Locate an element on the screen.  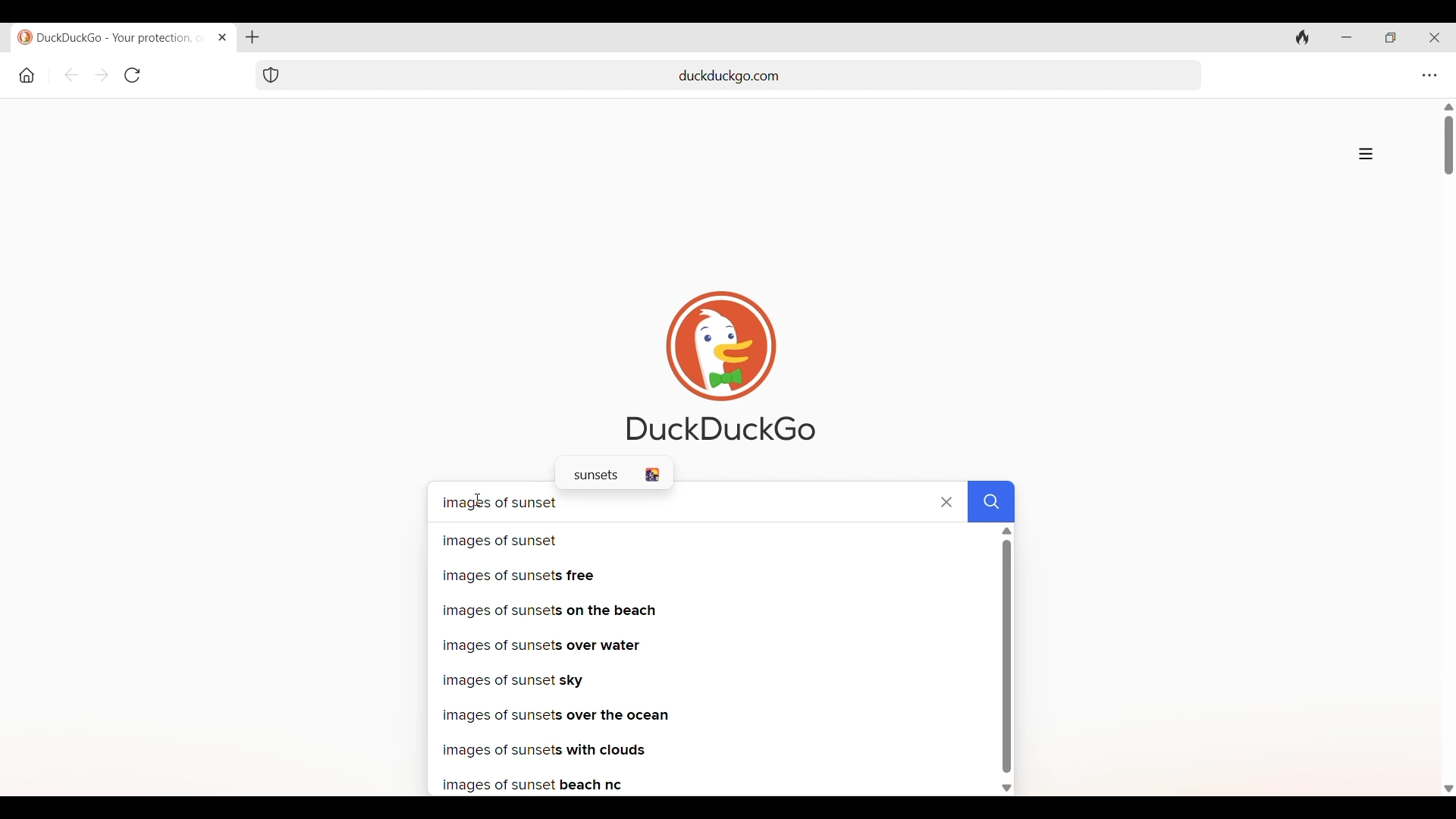
Refresh current page is located at coordinates (133, 75).